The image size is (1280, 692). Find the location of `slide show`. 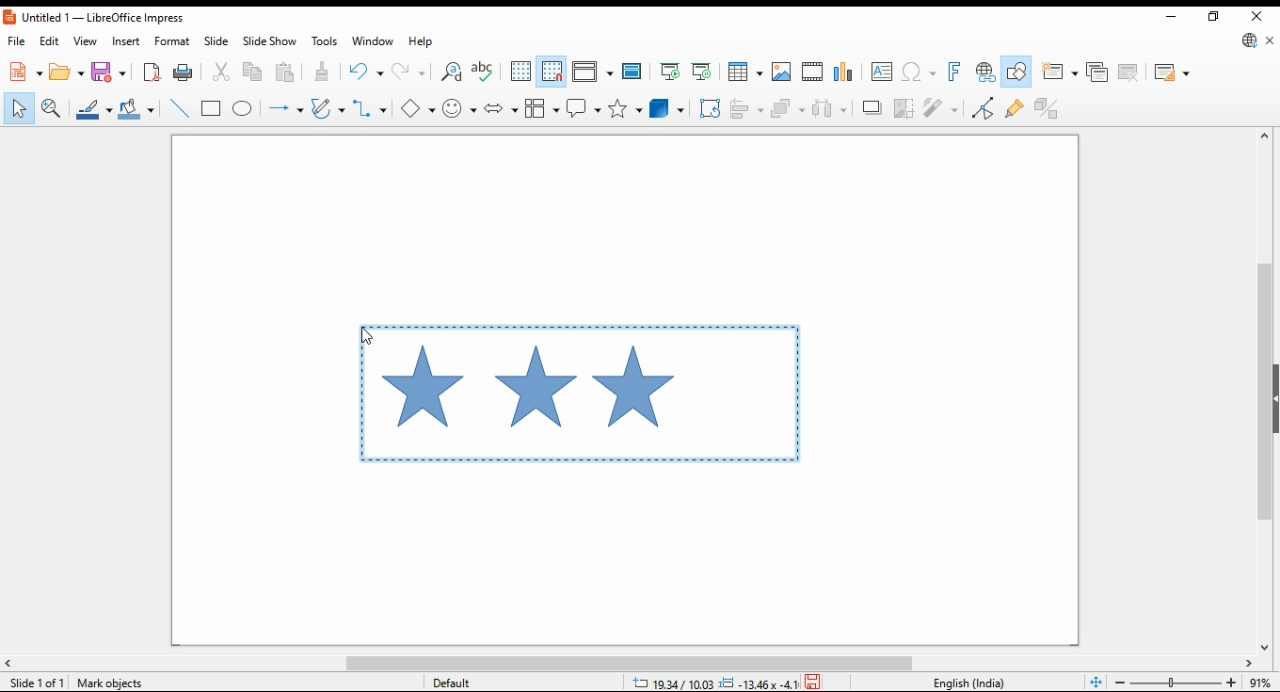

slide show is located at coordinates (268, 42).